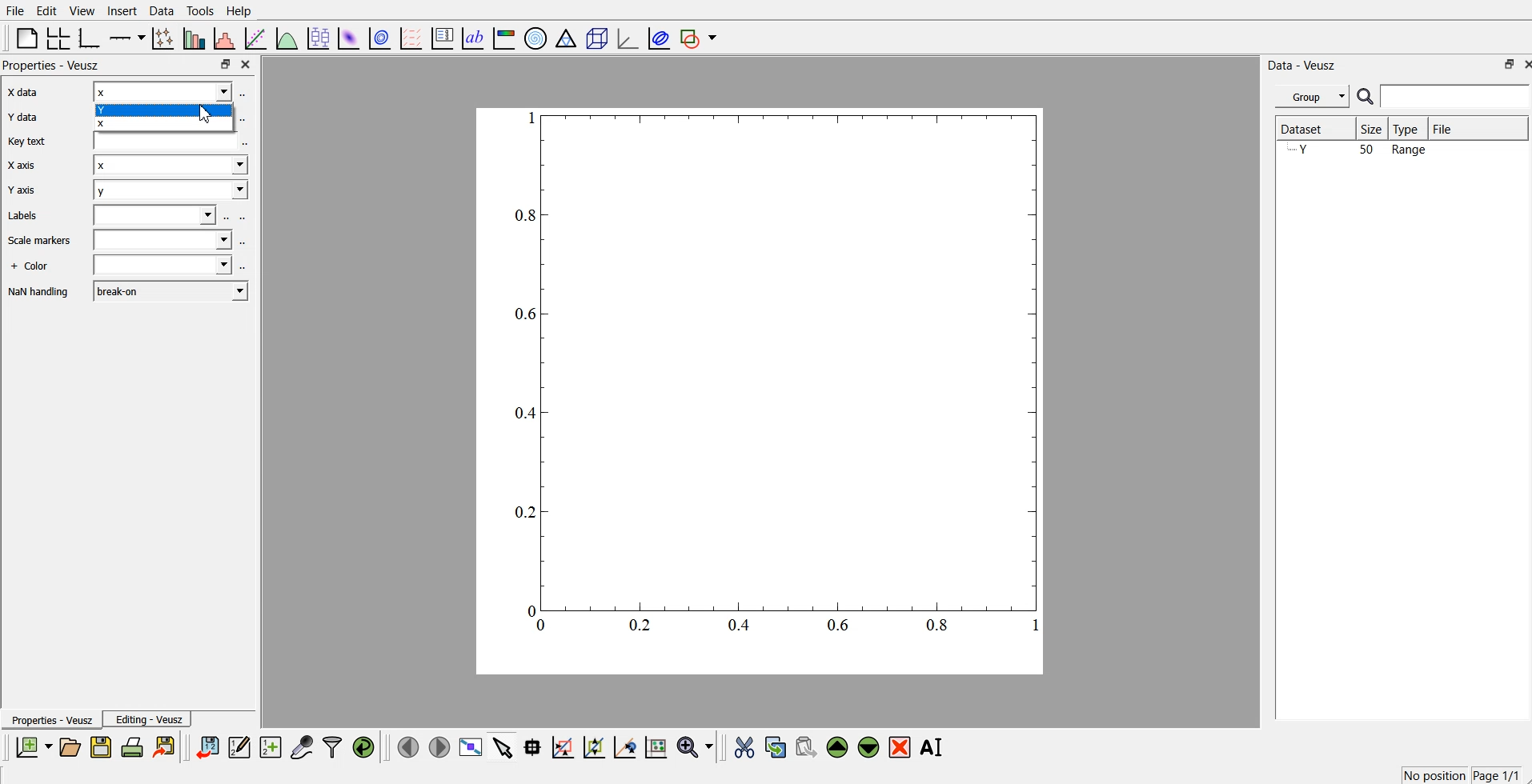  Describe the element at coordinates (72, 748) in the screenshot. I see `open document` at that location.